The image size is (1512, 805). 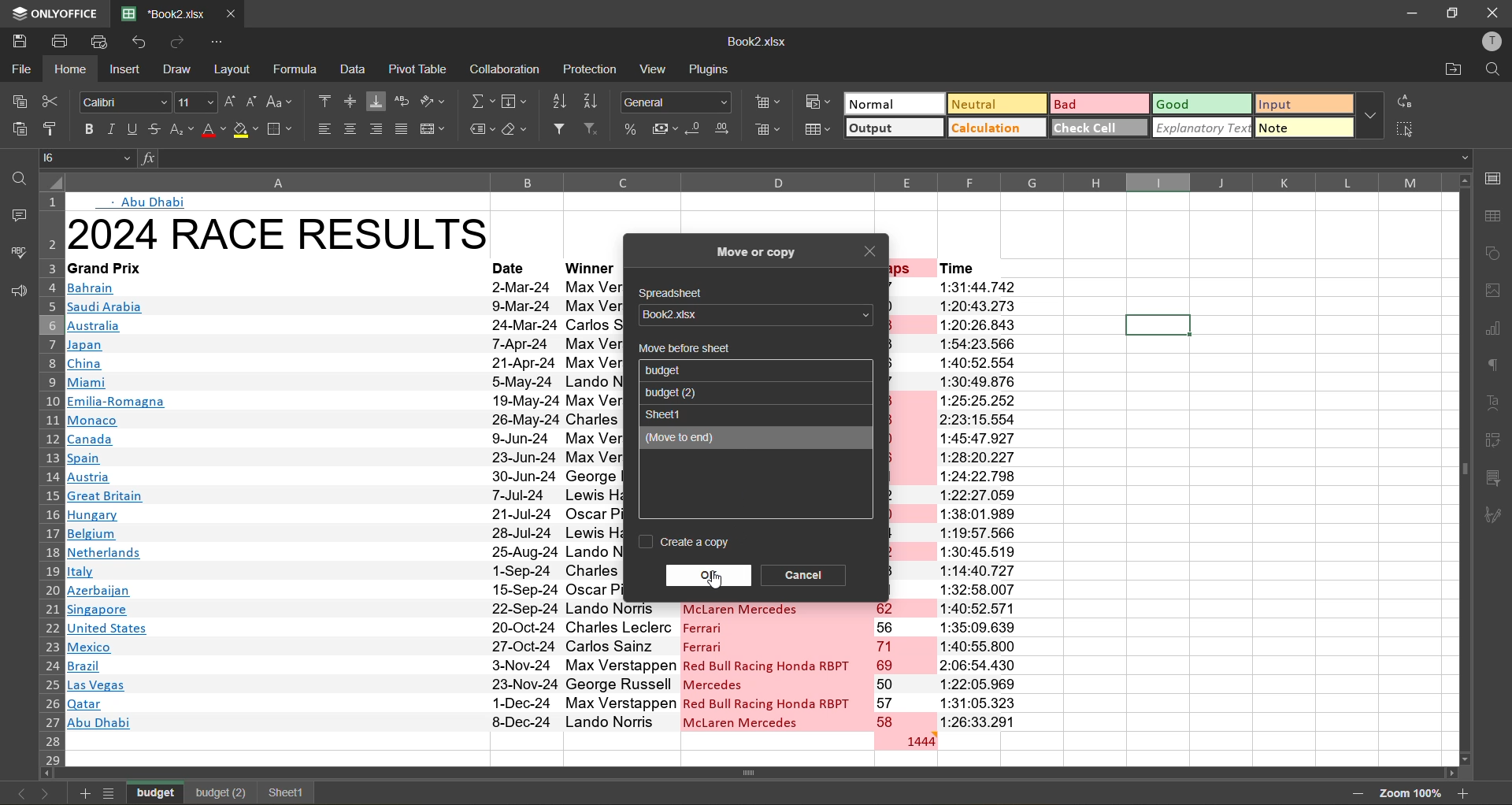 What do you see at coordinates (193, 103) in the screenshot?
I see `font size` at bounding box center [193, 103].